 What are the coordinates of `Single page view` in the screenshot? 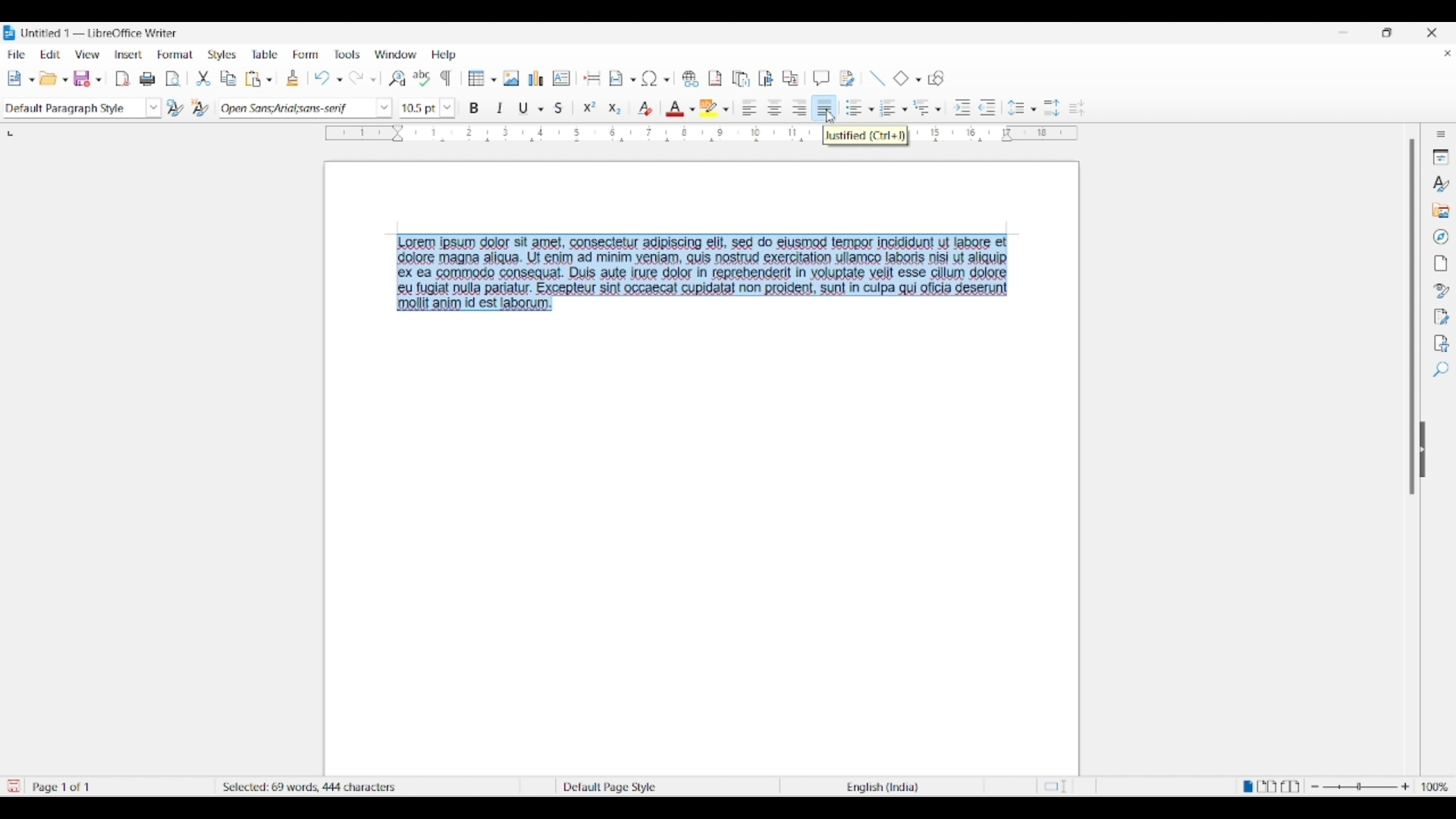 It's located at (1246, 786).